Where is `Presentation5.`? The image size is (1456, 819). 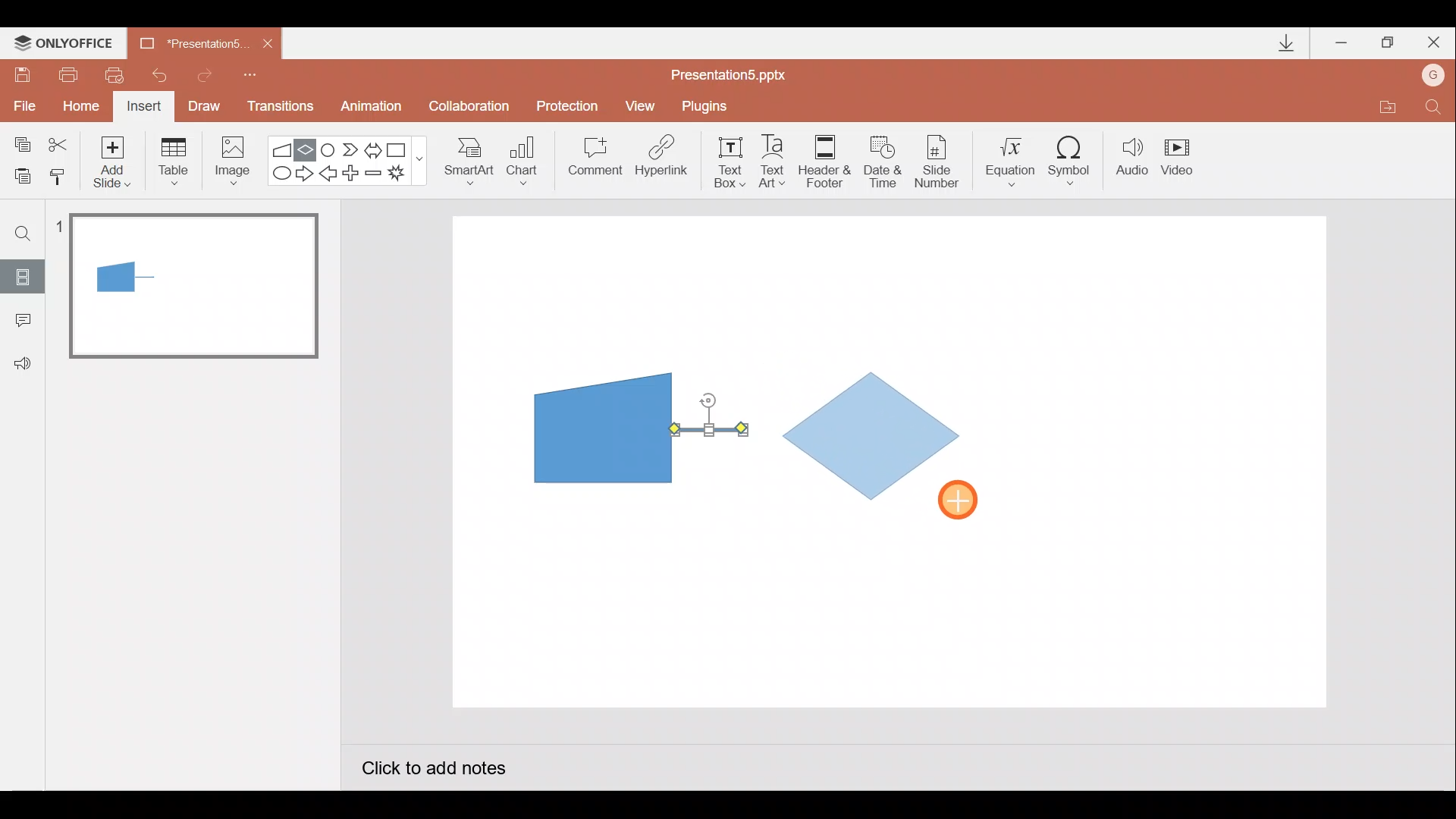
Presentation5. is located at coordinates (187, 41).